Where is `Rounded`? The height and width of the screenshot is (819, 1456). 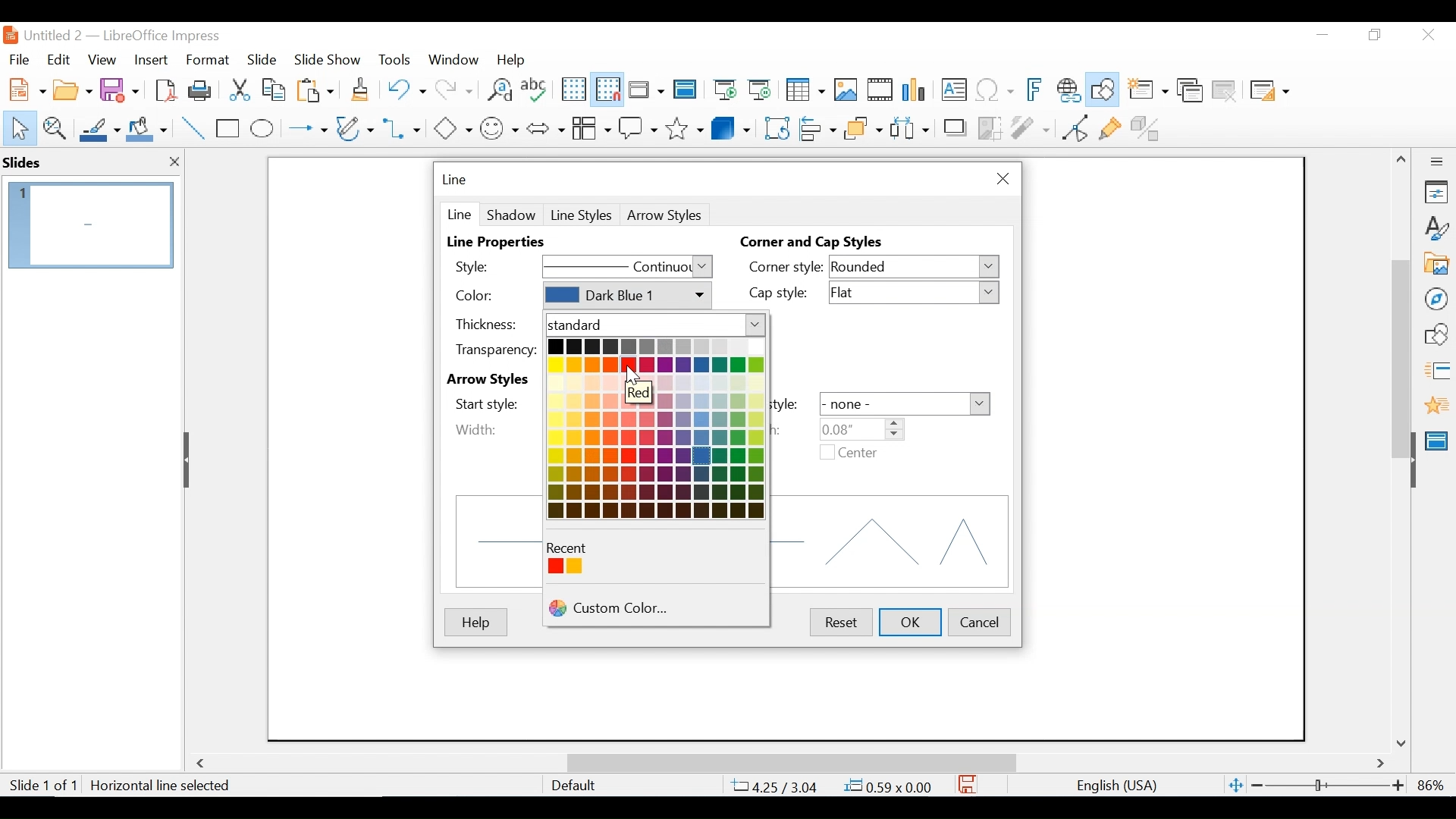 Rounded is located at coordinates (915, 268).